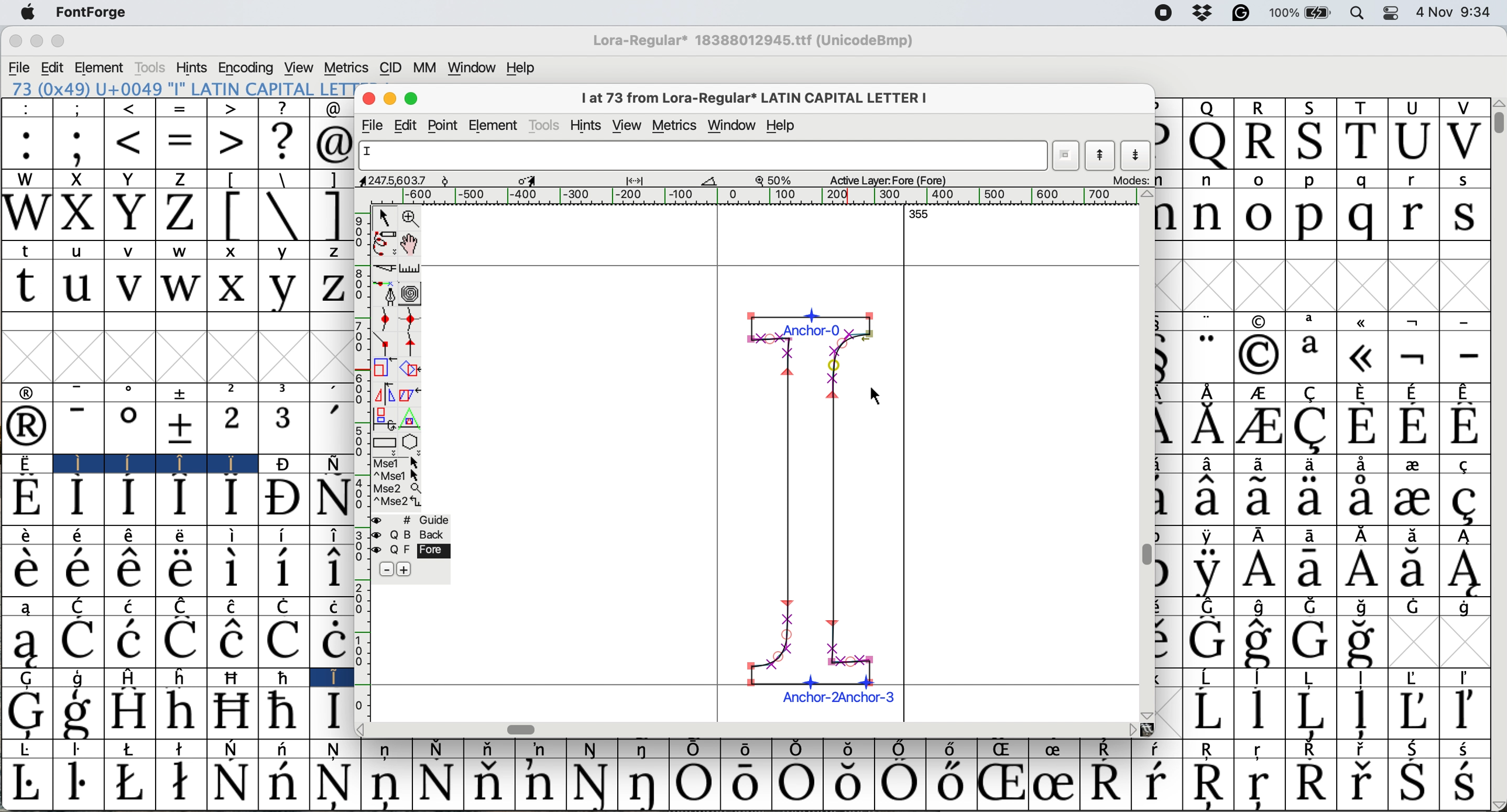  I want to click on o, so click(1260, 180).